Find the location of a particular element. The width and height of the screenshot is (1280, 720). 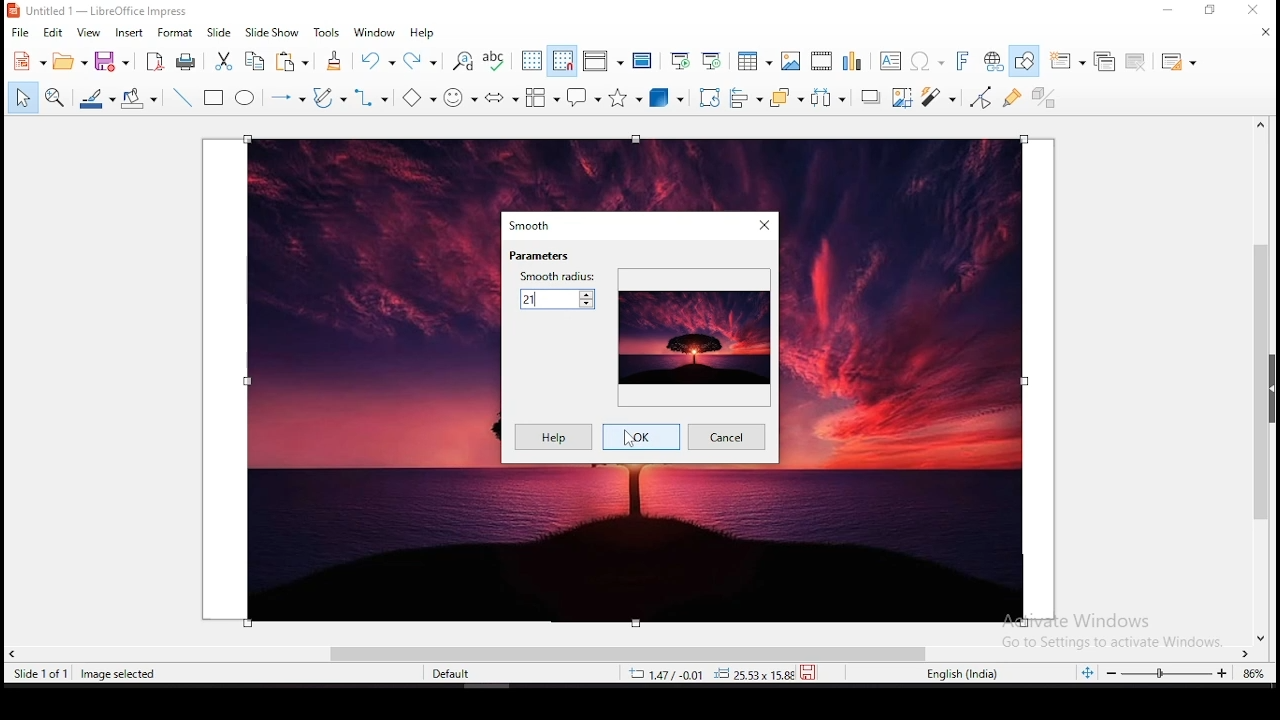

insert is located at coordinates (129, 33).